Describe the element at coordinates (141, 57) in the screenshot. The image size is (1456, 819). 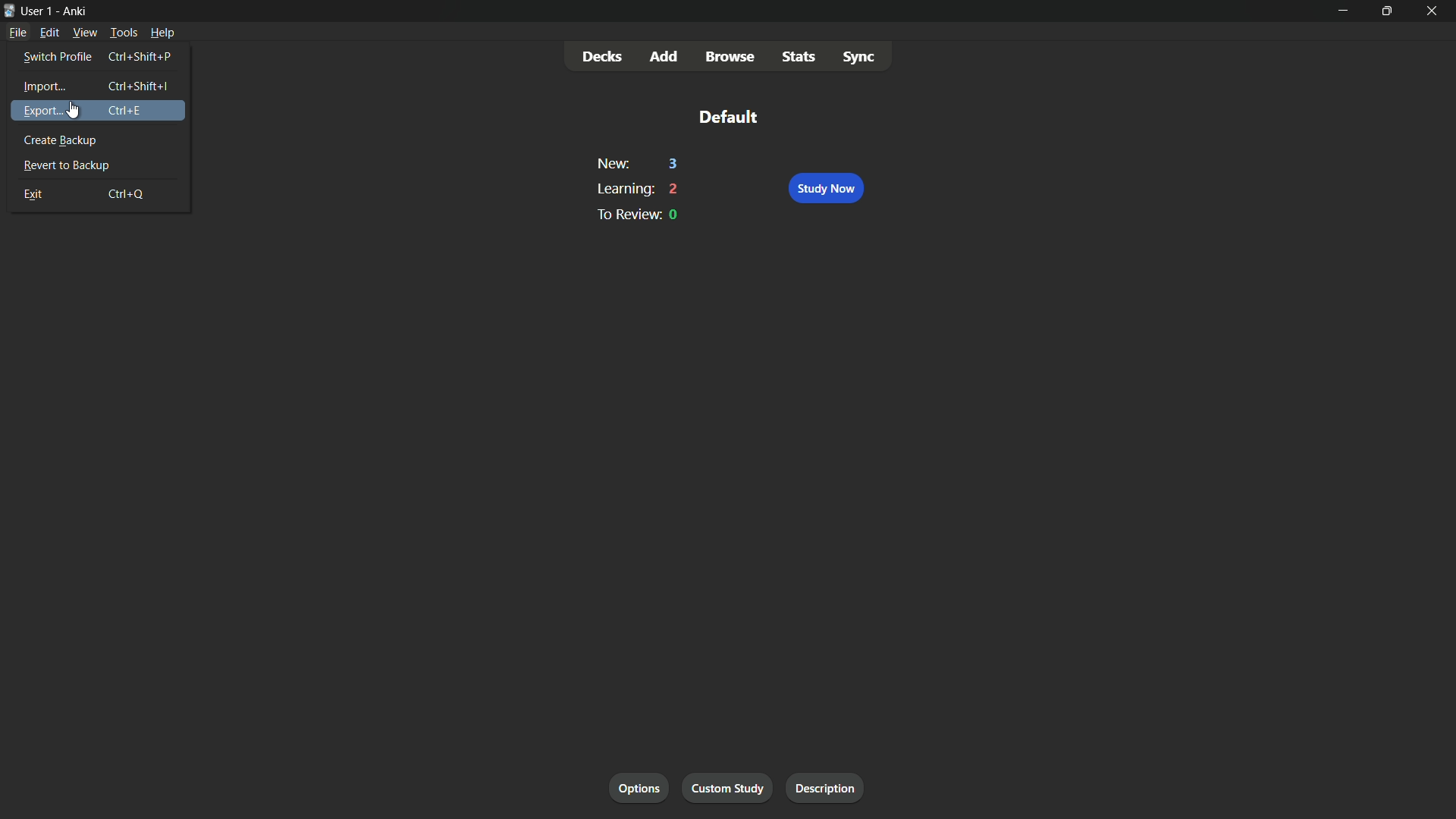
I see `keyboard shortcut` at that location.